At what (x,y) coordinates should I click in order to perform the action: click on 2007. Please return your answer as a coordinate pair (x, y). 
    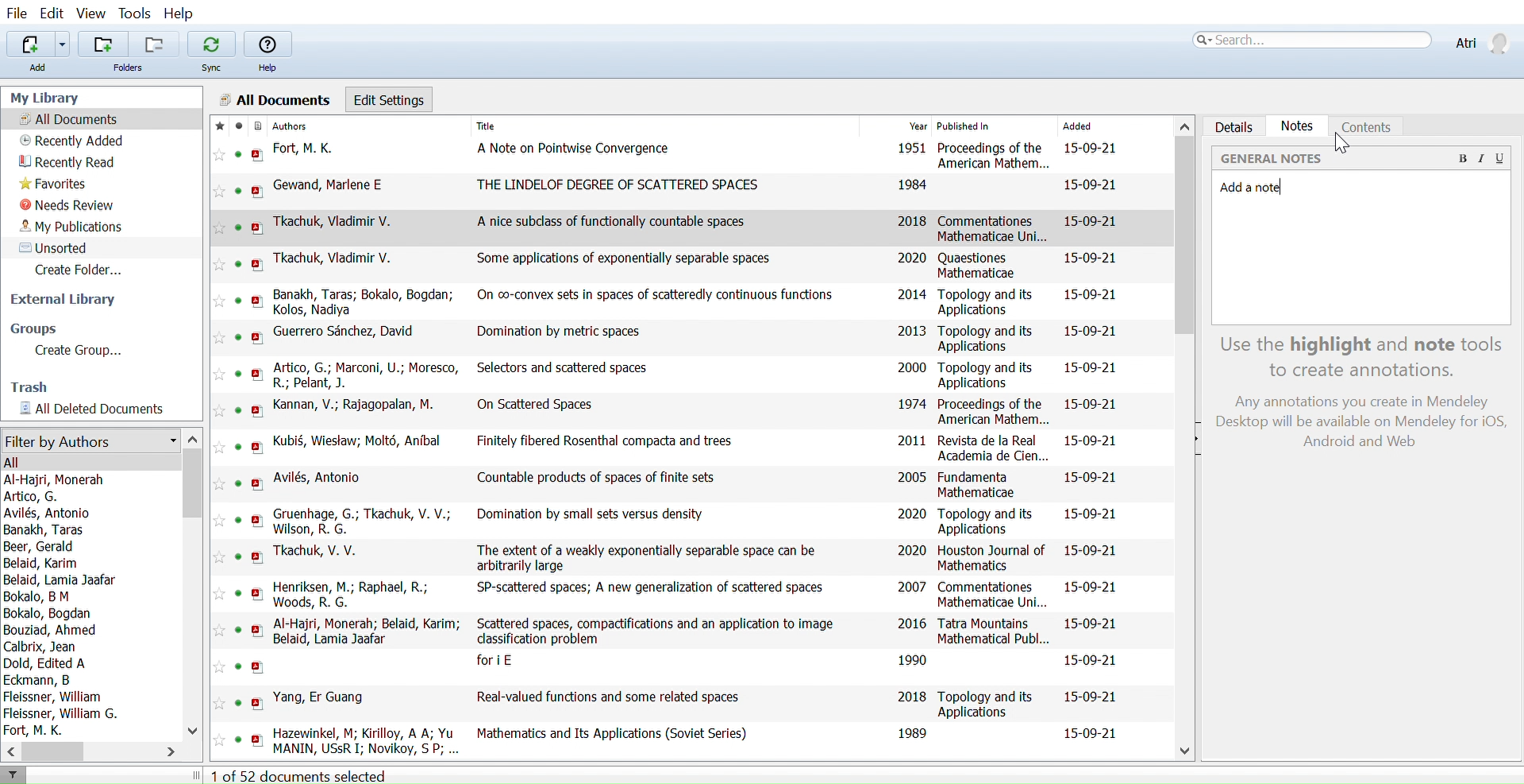
    Looking at the image, I should click on (911, 586).